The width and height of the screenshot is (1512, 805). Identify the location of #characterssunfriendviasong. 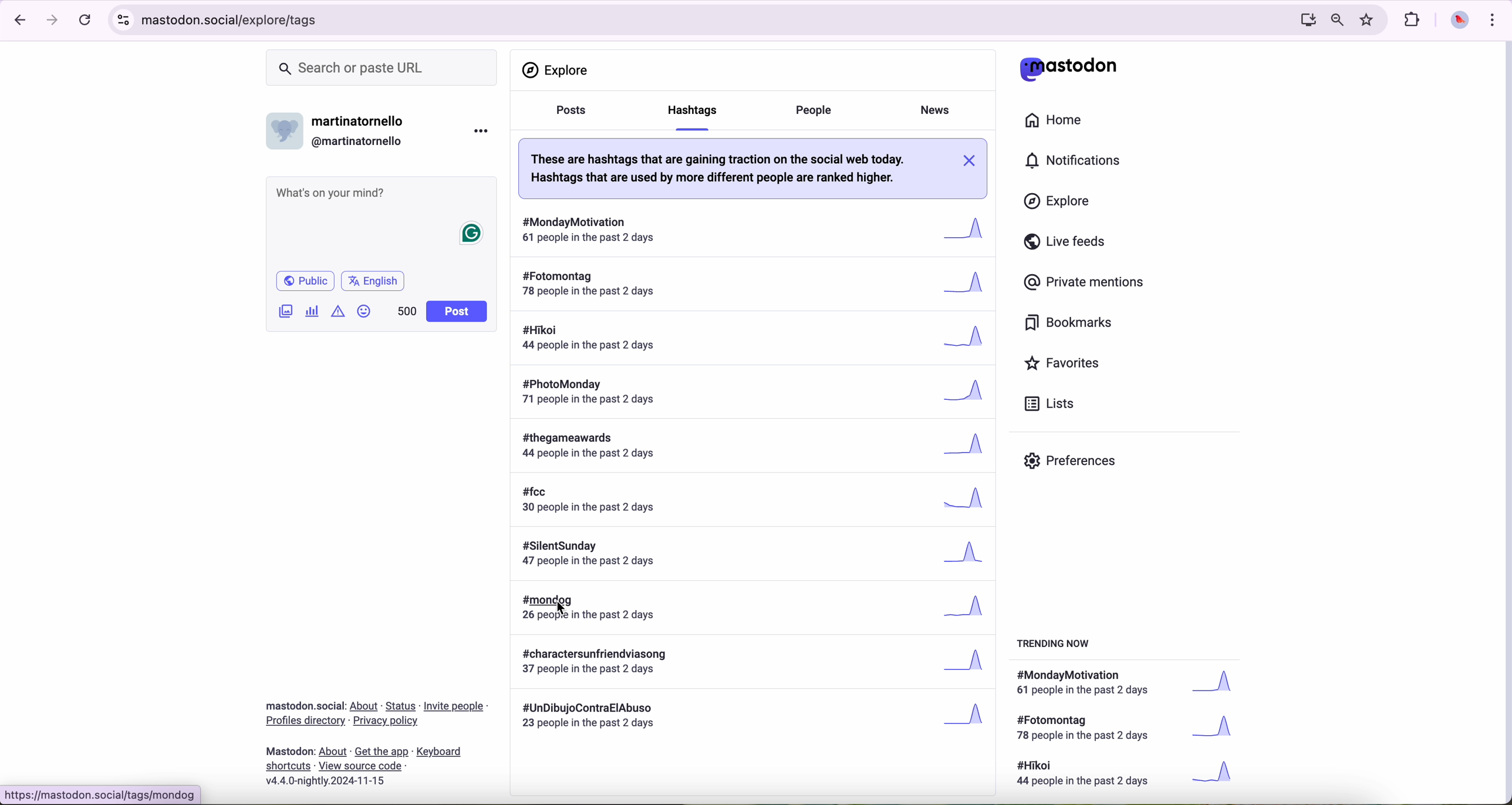
(753, 663).